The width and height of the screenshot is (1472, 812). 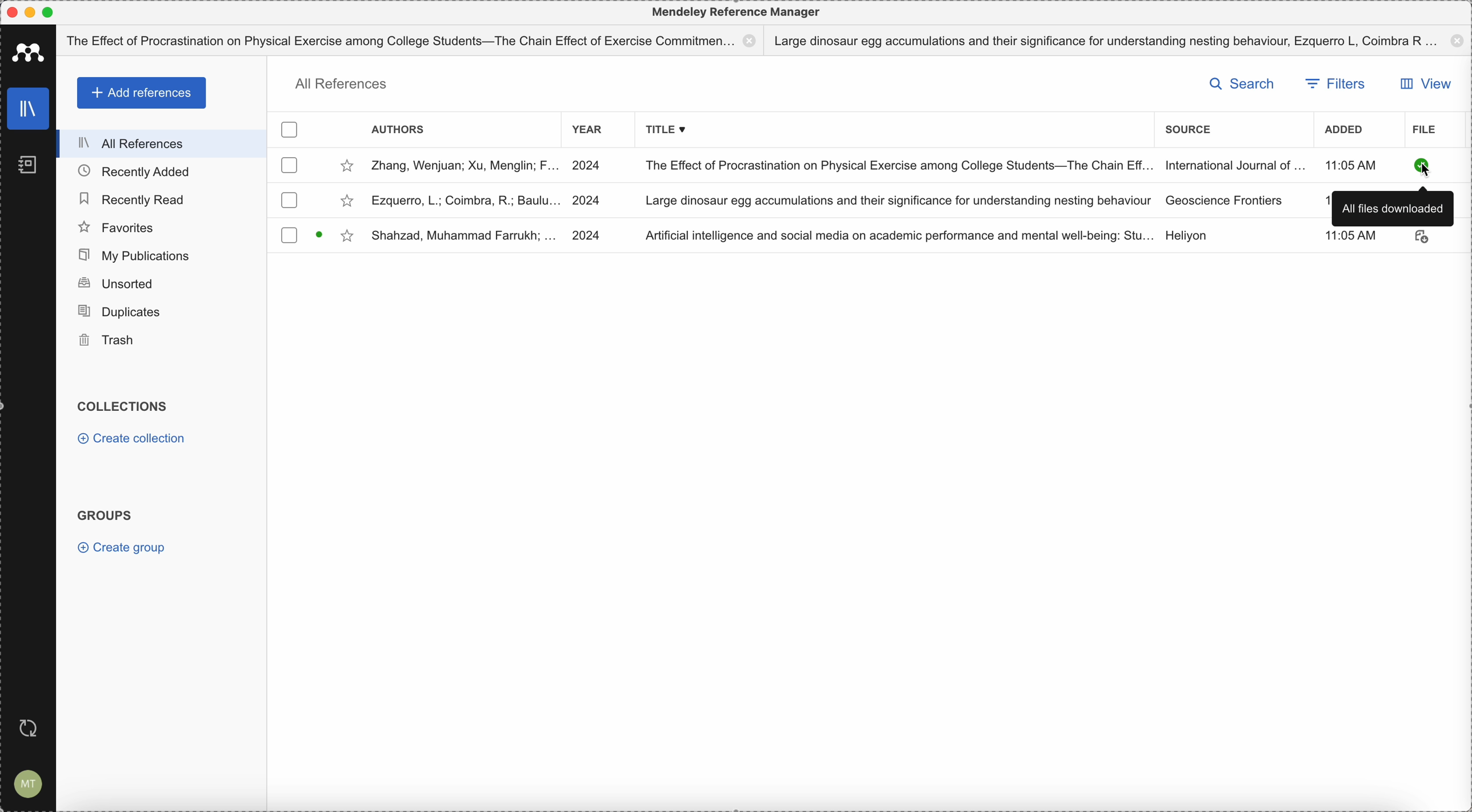 What do you see at coordinates (900, 201) in the screenshot?
I see `Large dinosaur egg accumulations and their significance for understanding nesting behaviour` at bounding box center [900, 201].